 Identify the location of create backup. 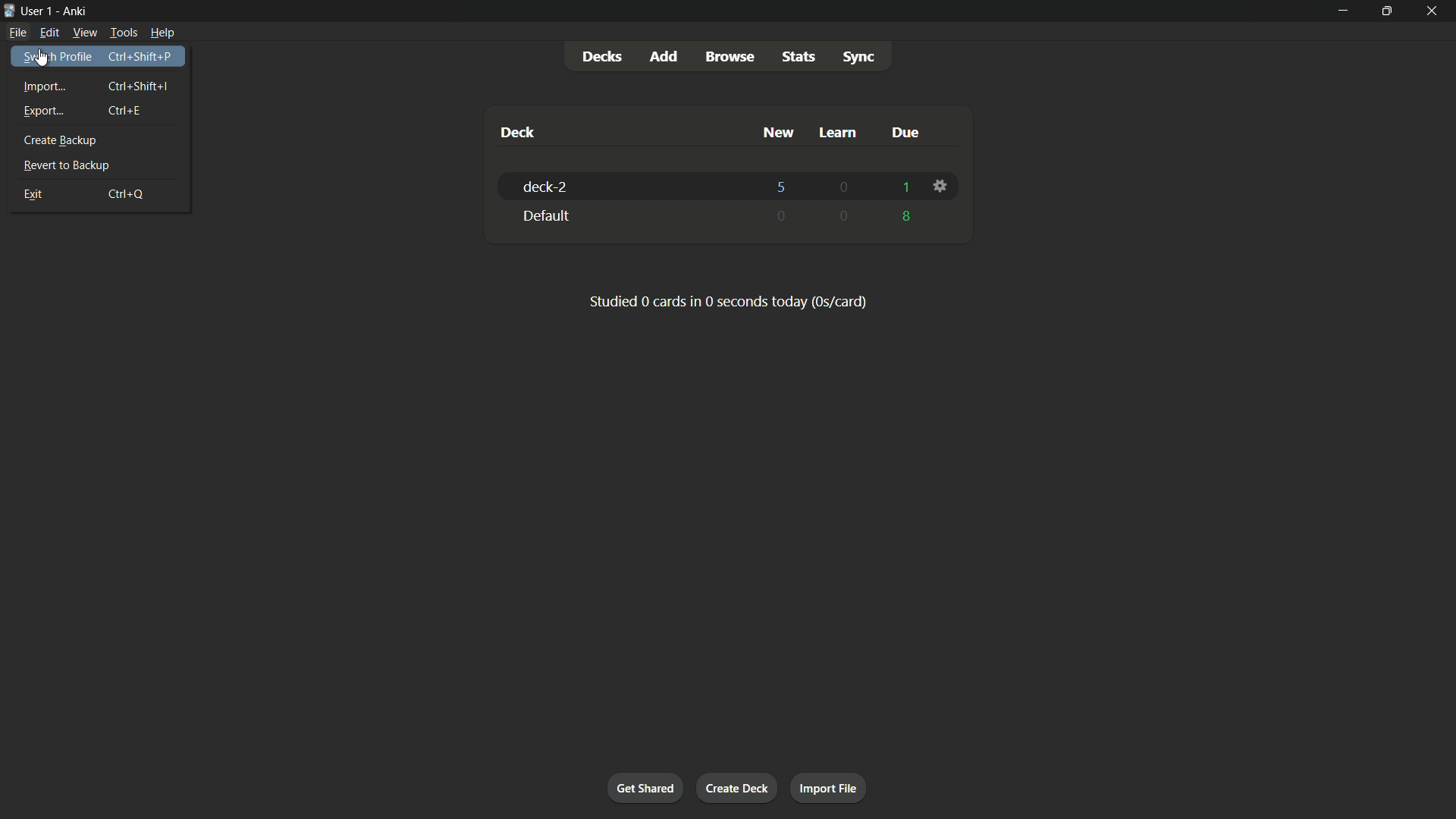
(102, 140).